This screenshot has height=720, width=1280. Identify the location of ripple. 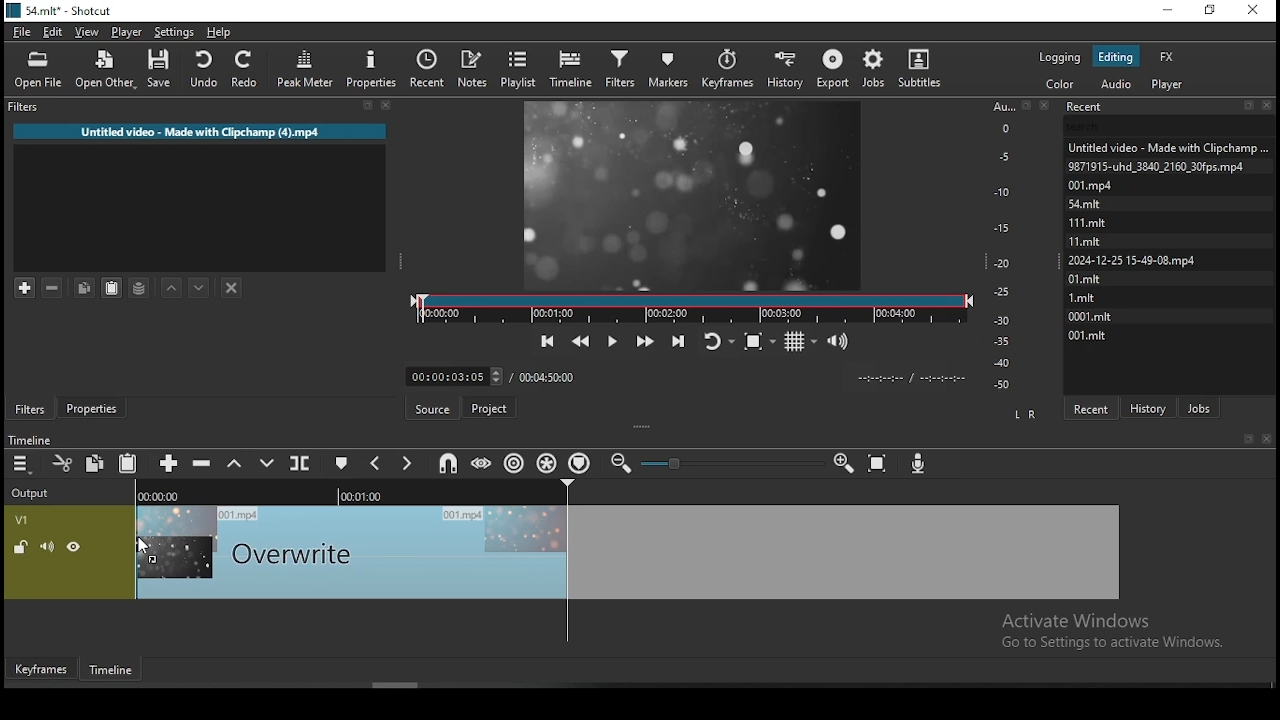
(515, 462).